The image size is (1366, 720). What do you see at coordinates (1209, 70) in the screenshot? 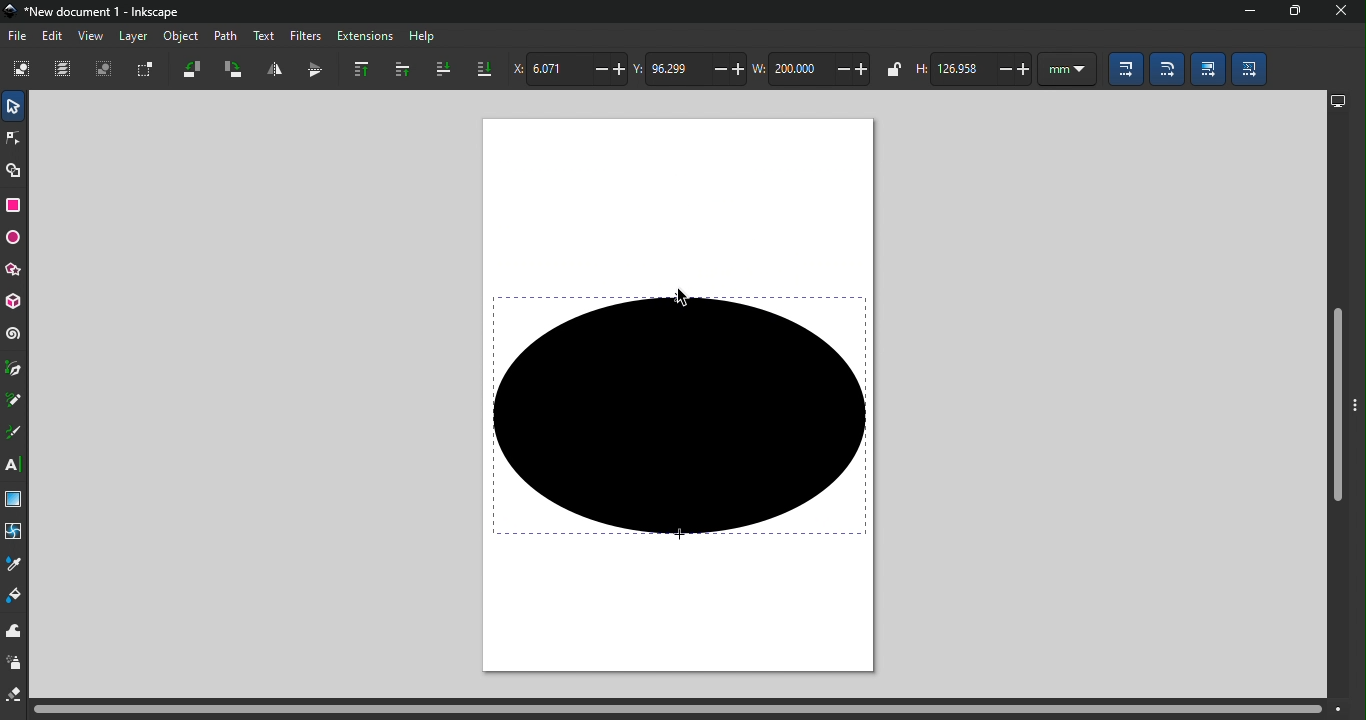
I see `Move gradients (in fill or stroke) along with the objects` at bounding box center [1209, 70].